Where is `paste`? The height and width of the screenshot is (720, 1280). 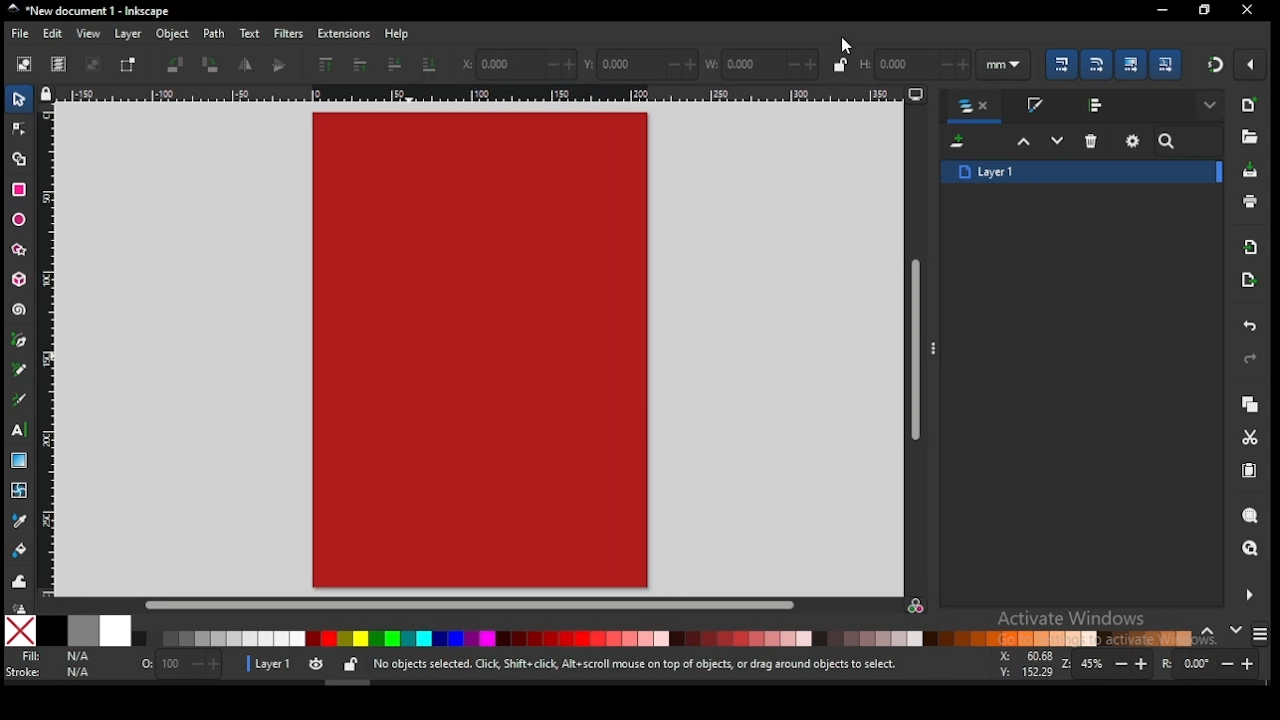 paste is located at coordinates (1253, 473).